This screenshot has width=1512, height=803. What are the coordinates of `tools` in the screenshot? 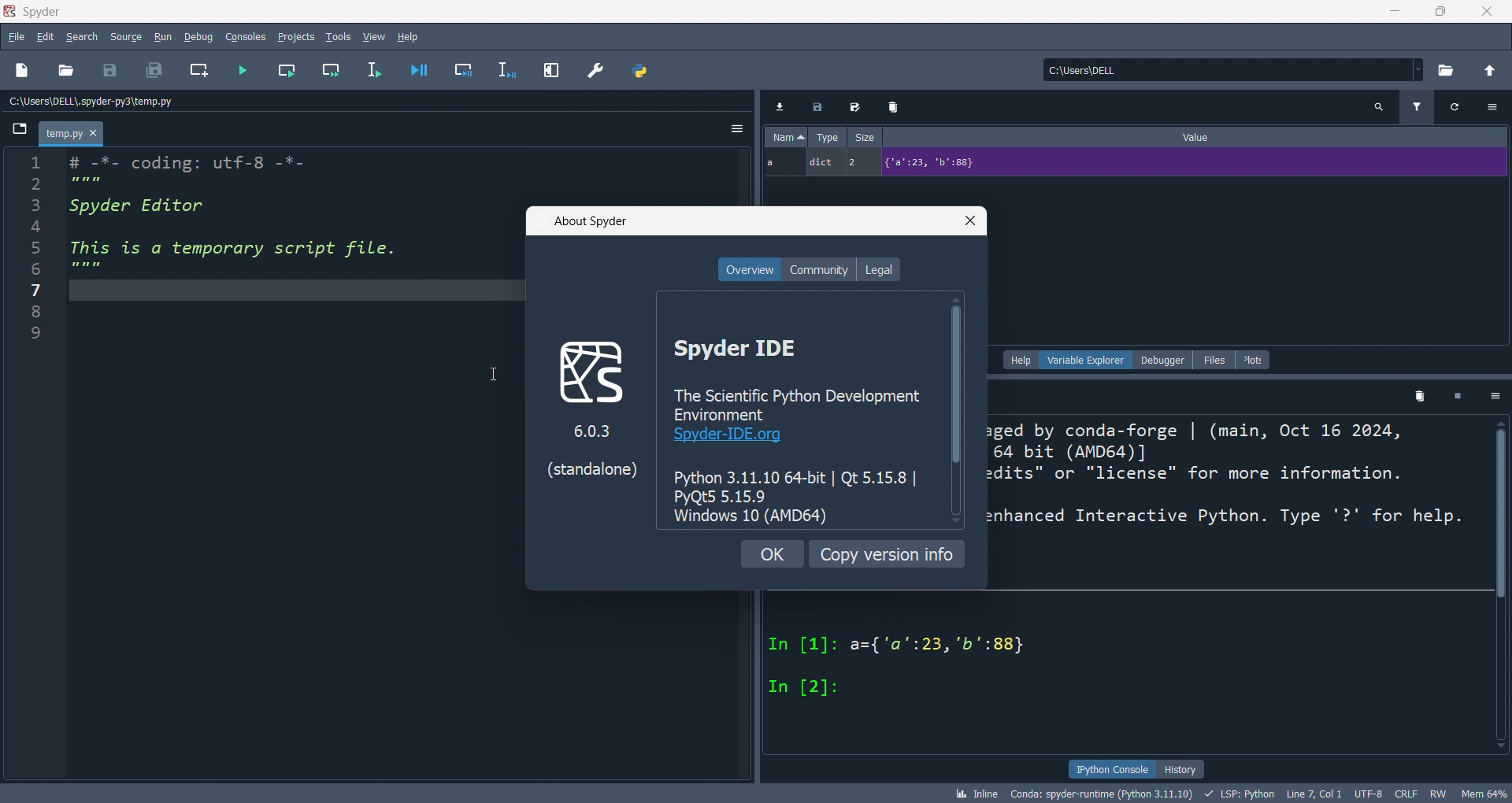 It's located at (339, 38).